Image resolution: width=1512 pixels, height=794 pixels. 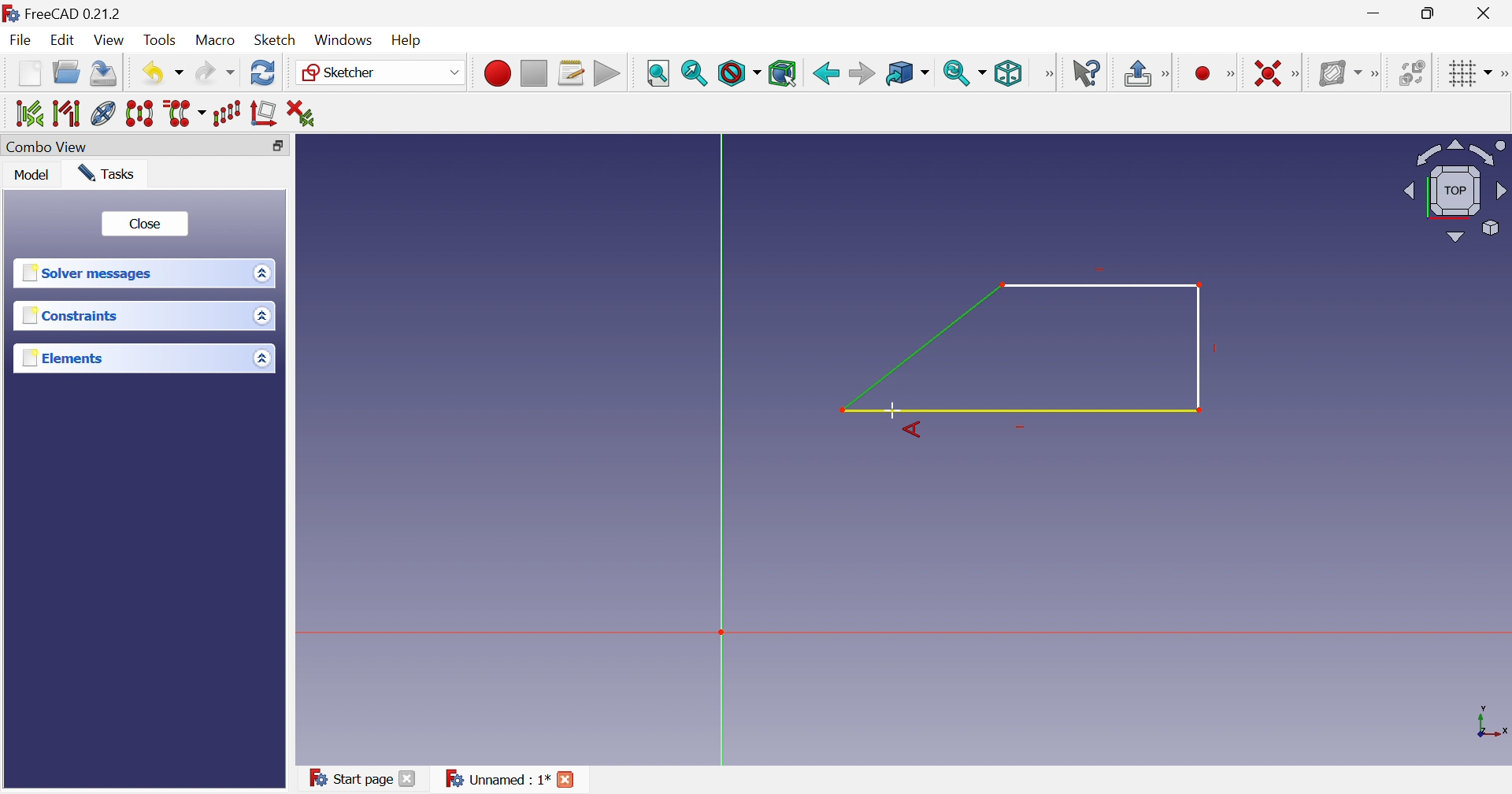 What do you see at coordinates (35, 176) in the screenshot?
I see `Model` at bounding box center [35, 176].